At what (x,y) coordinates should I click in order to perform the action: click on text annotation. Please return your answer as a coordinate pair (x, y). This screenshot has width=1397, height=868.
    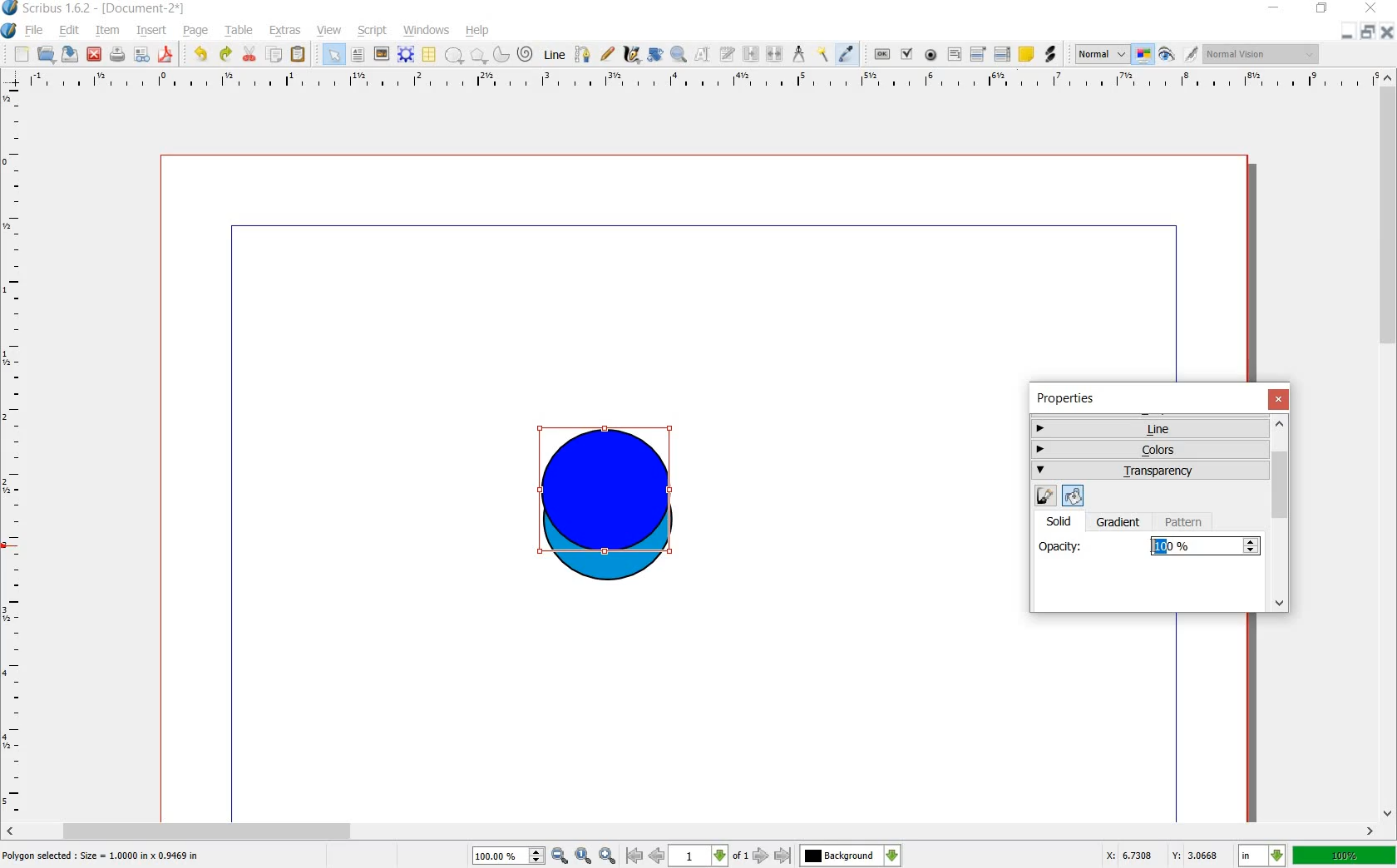
    Looking at the image, I should click on (1028, 55).